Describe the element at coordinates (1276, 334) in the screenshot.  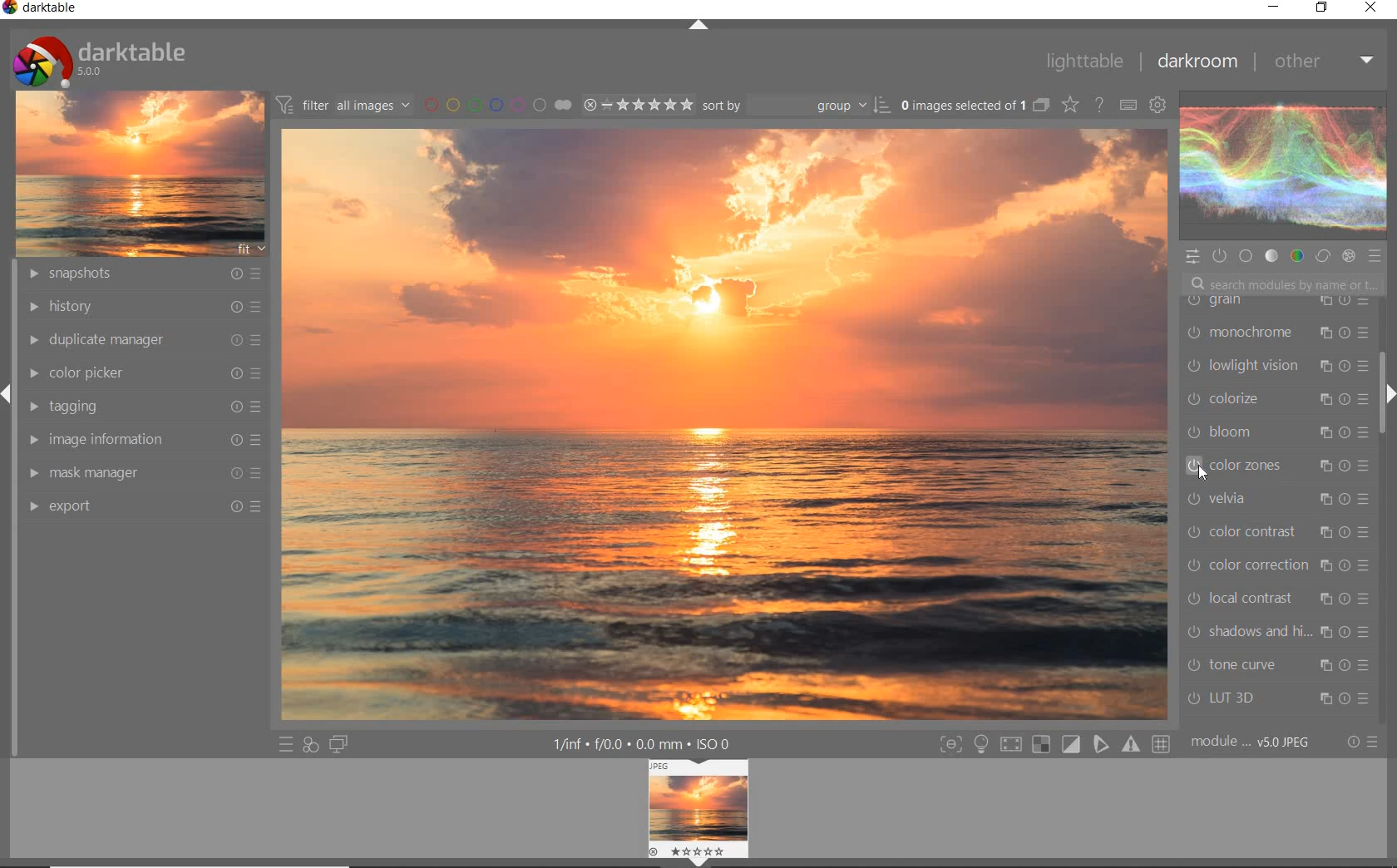
I see `monochrome` at that location.